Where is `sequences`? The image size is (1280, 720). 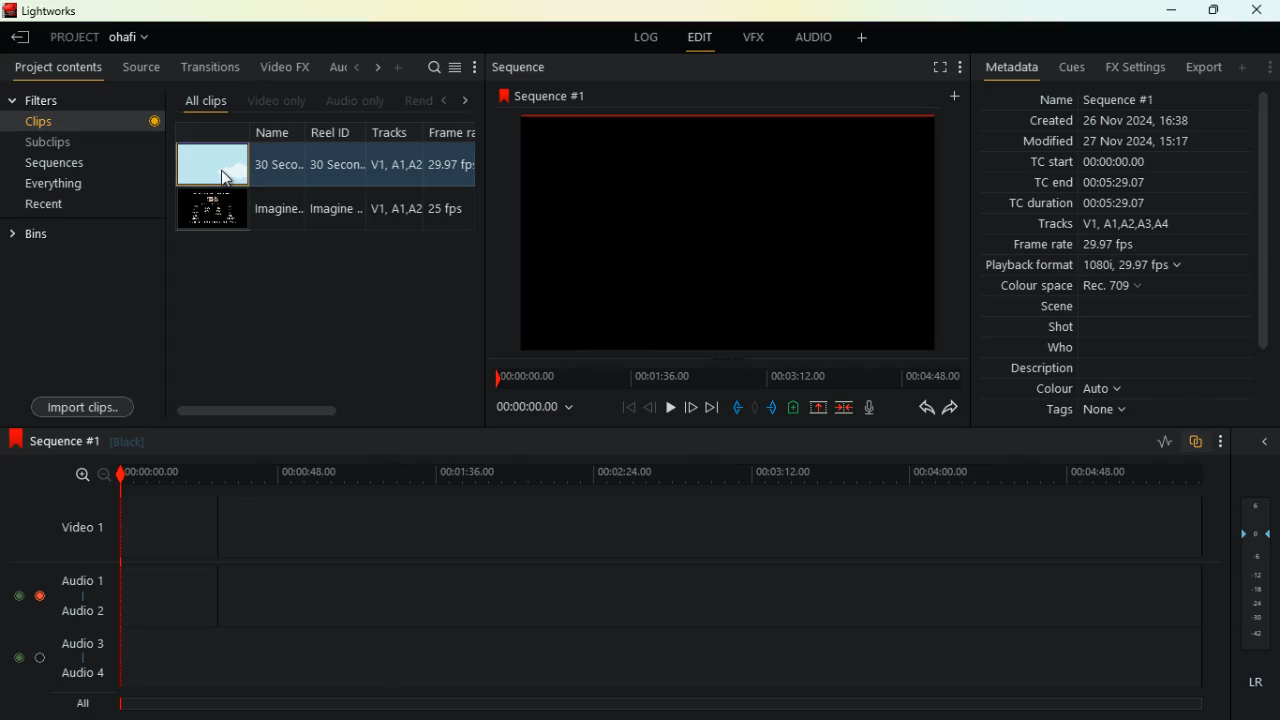
sequences is located at coordinates (63, 164).